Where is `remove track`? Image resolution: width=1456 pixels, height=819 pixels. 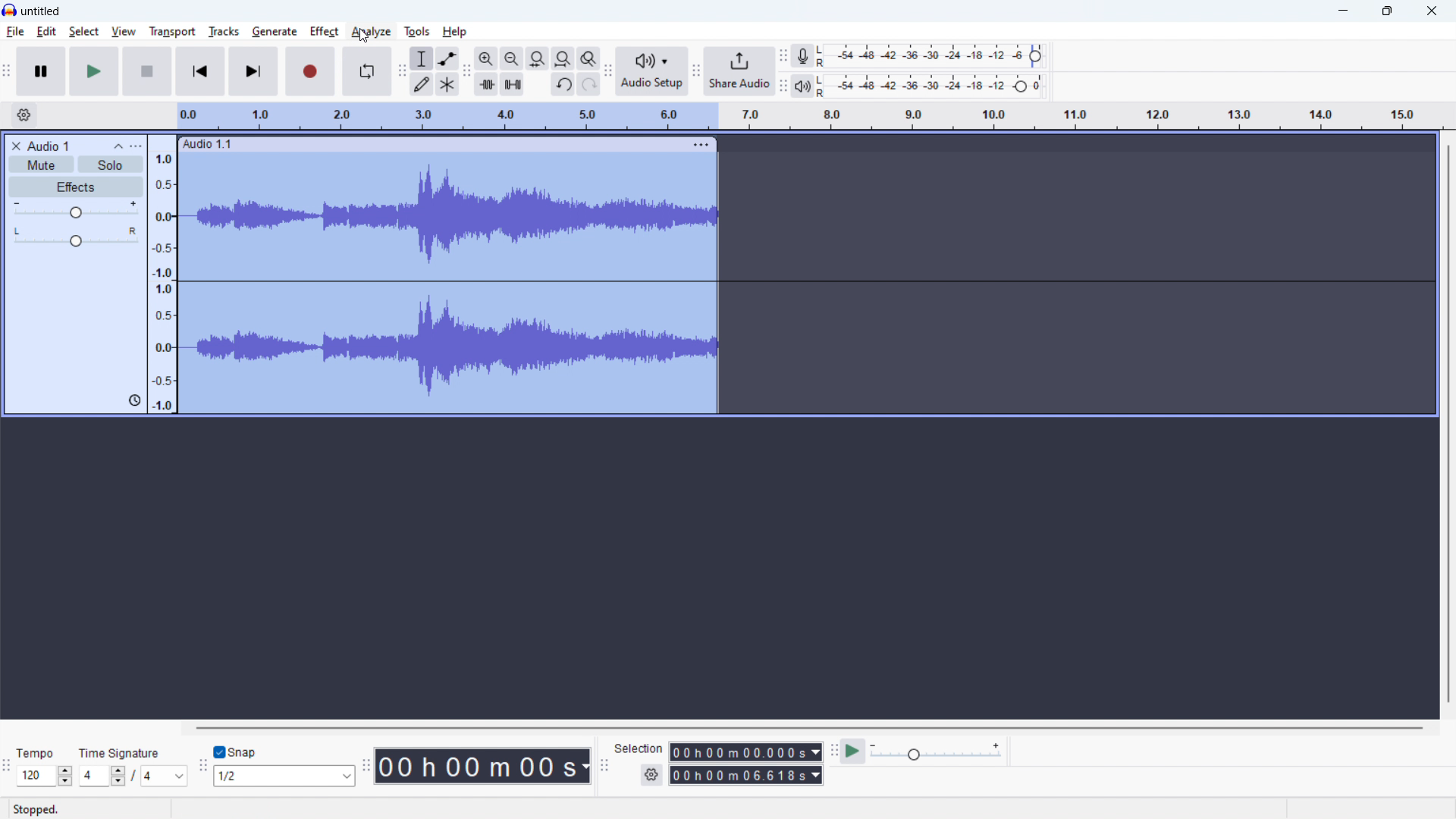
remove track is located at coordinates (15, 146).